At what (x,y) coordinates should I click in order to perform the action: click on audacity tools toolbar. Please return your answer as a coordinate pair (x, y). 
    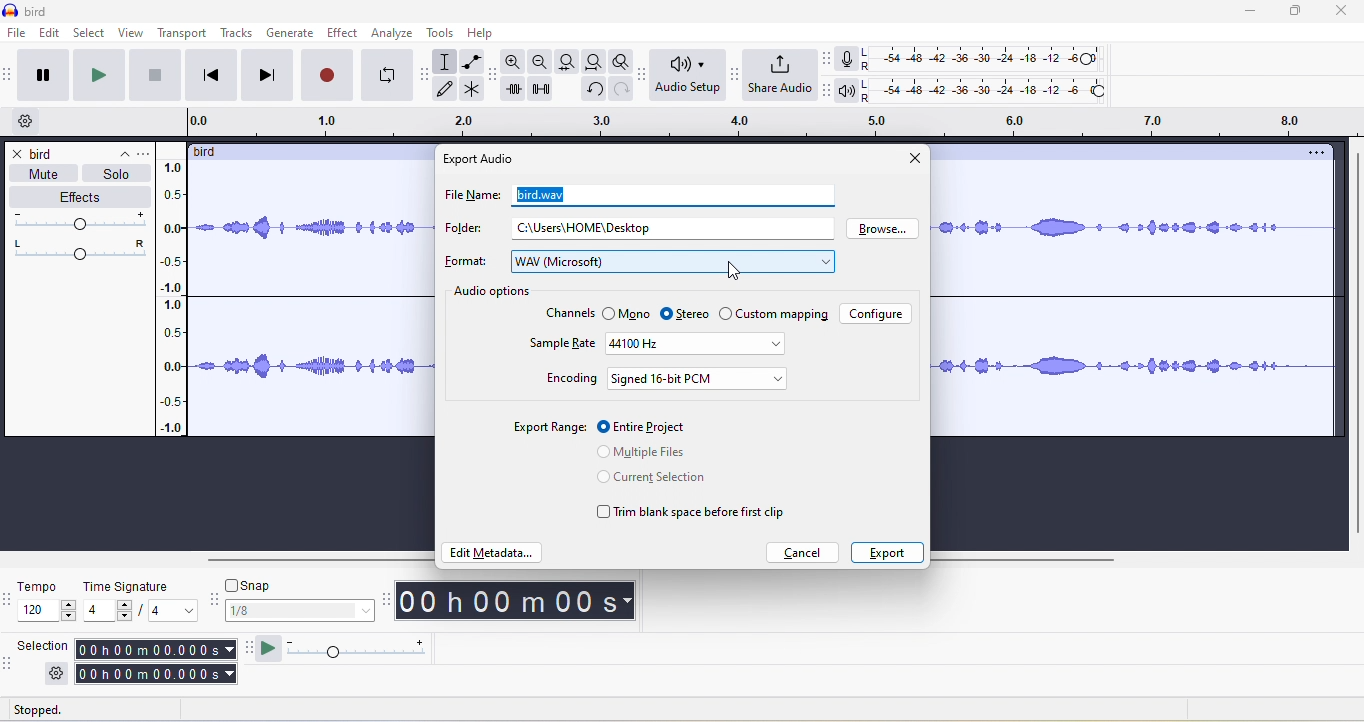
    Looking at the image, I should click on (428, 71).